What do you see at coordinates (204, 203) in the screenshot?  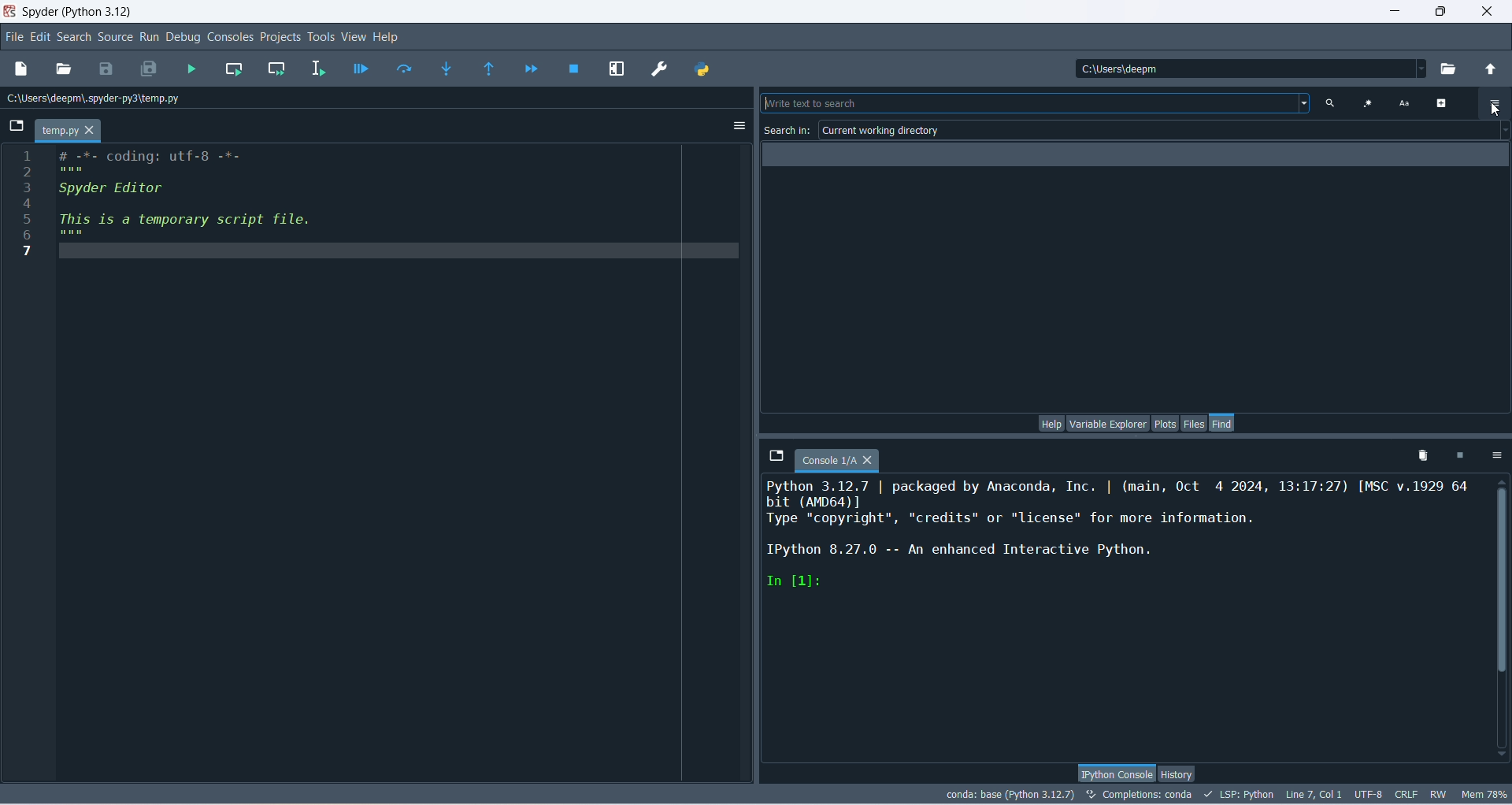 I see `editor pane text` at bounding box center [204, 203].